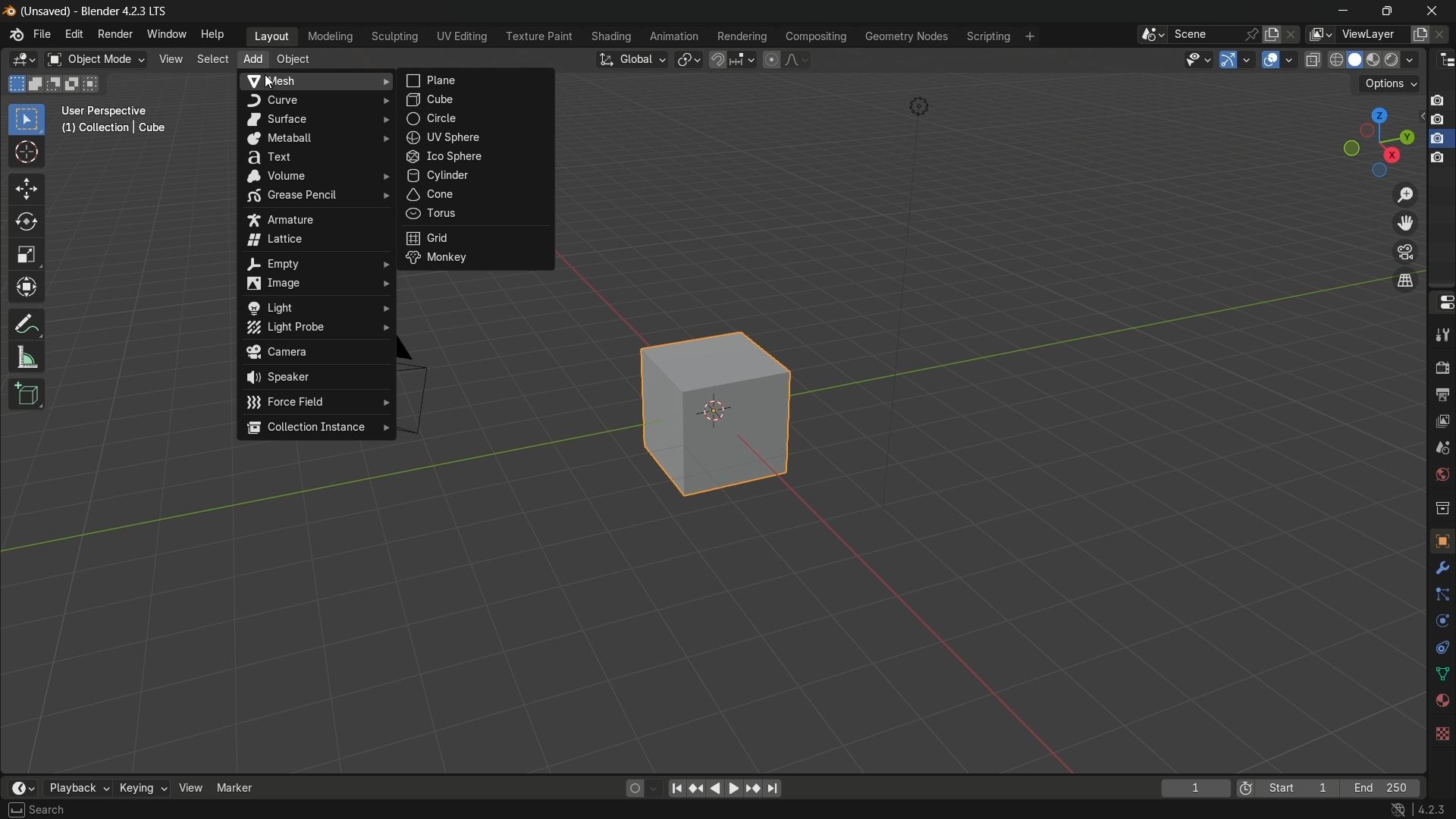 Image resolution: width=1456 pixels, height=819 pixels. I want to click on help menu, so click(215, 35).